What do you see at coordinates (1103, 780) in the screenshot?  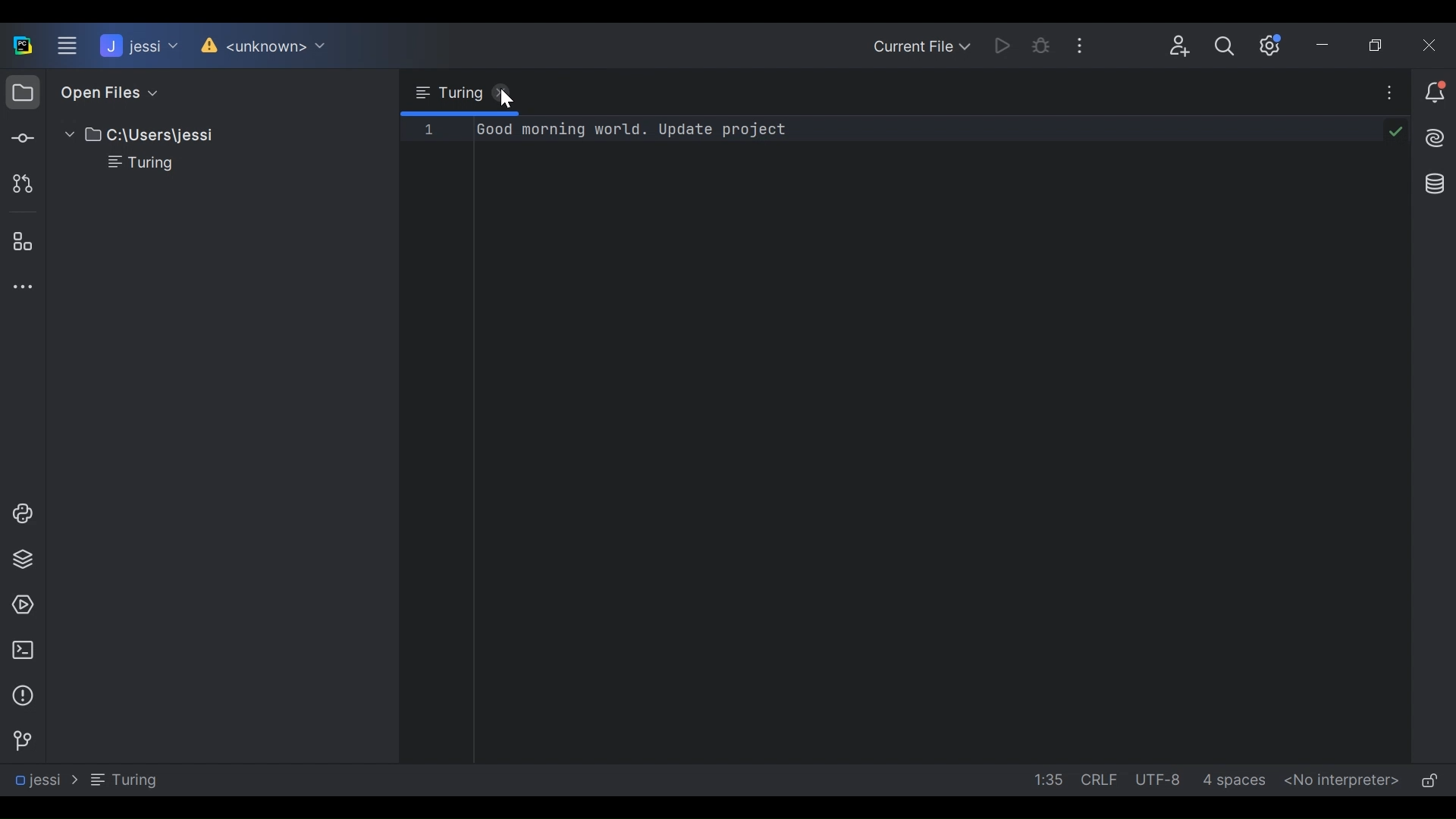 I see `line Separator` at bounding box center [1103, 780].